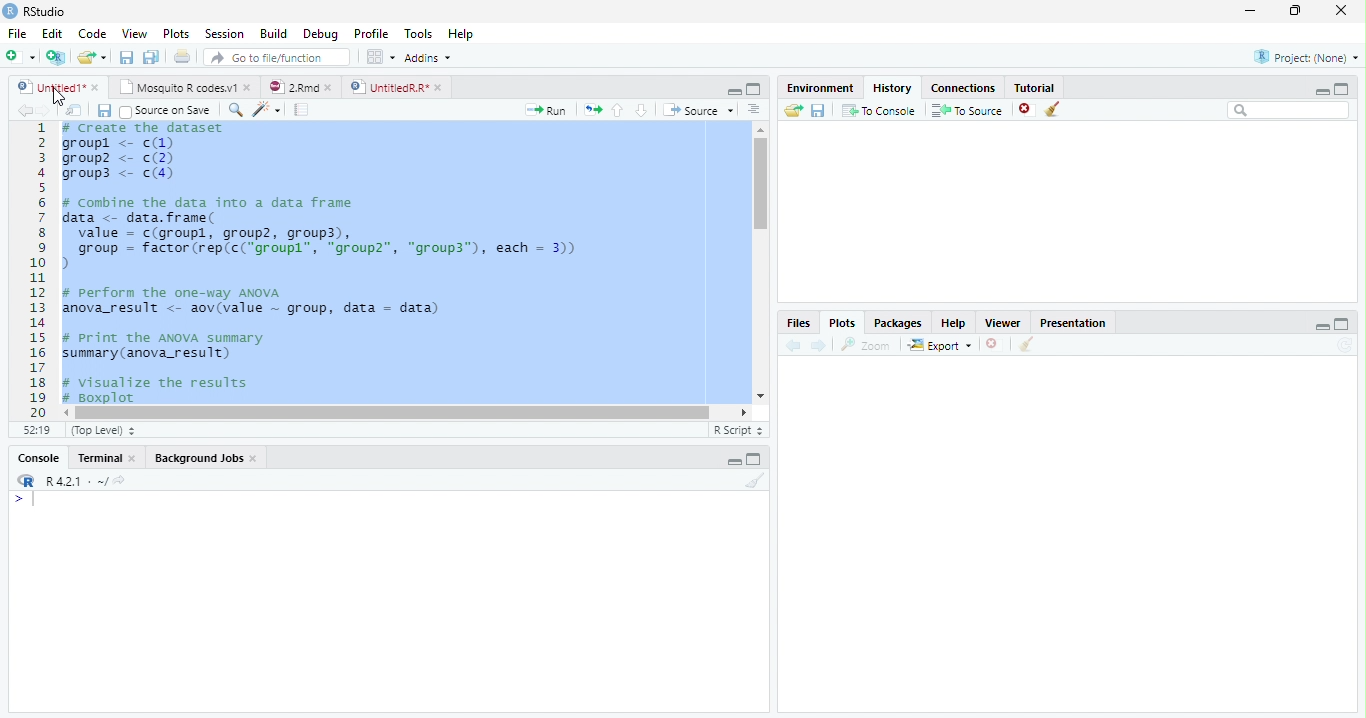 This screenshot has height=718, width=1366. What do you see at coordinates (1251, 12) in the screenshot?
I see `Minimize` at bounding box center [1251, 12].